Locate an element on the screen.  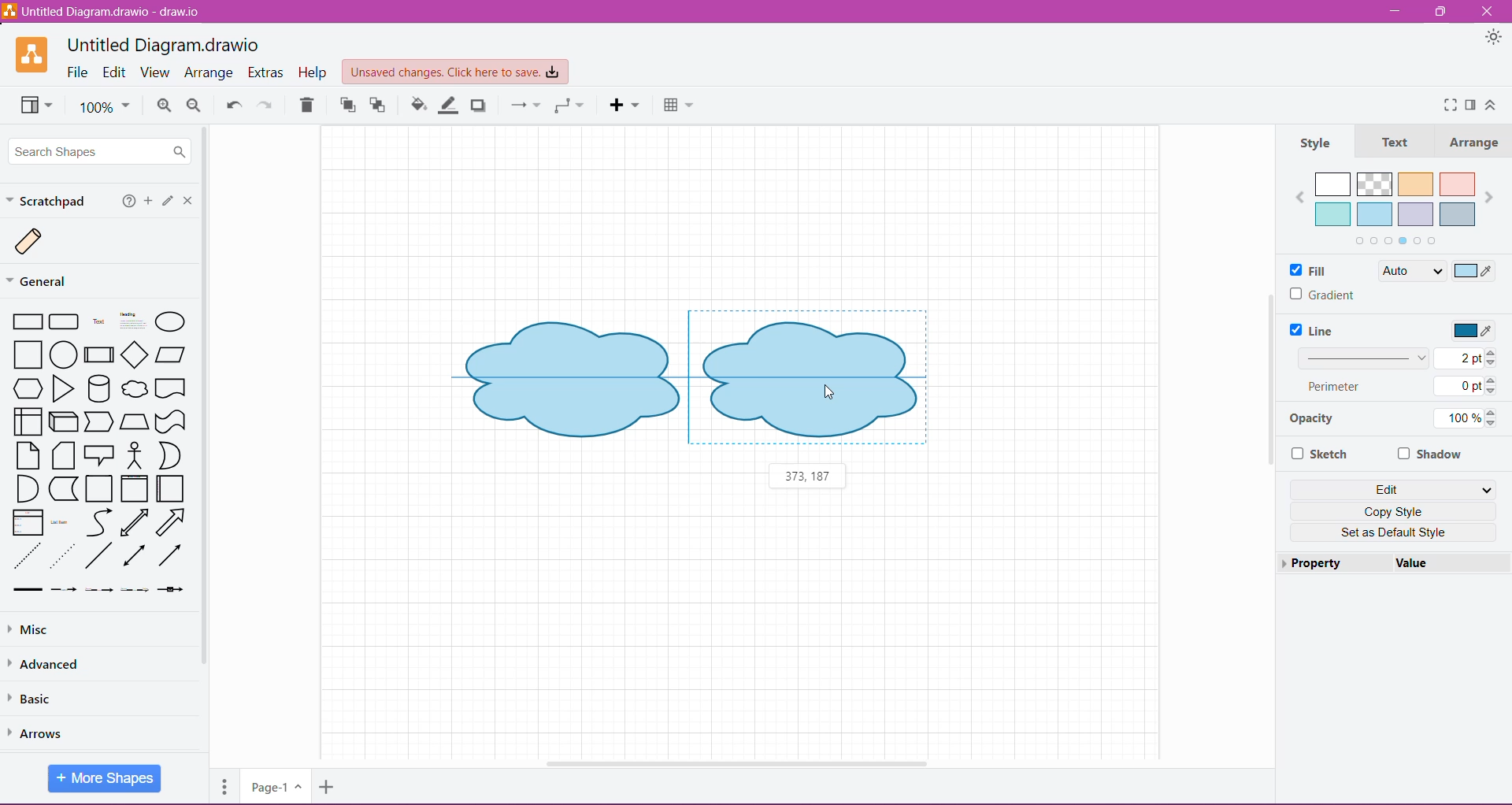
Shadow is located at coordinates (479, 106).